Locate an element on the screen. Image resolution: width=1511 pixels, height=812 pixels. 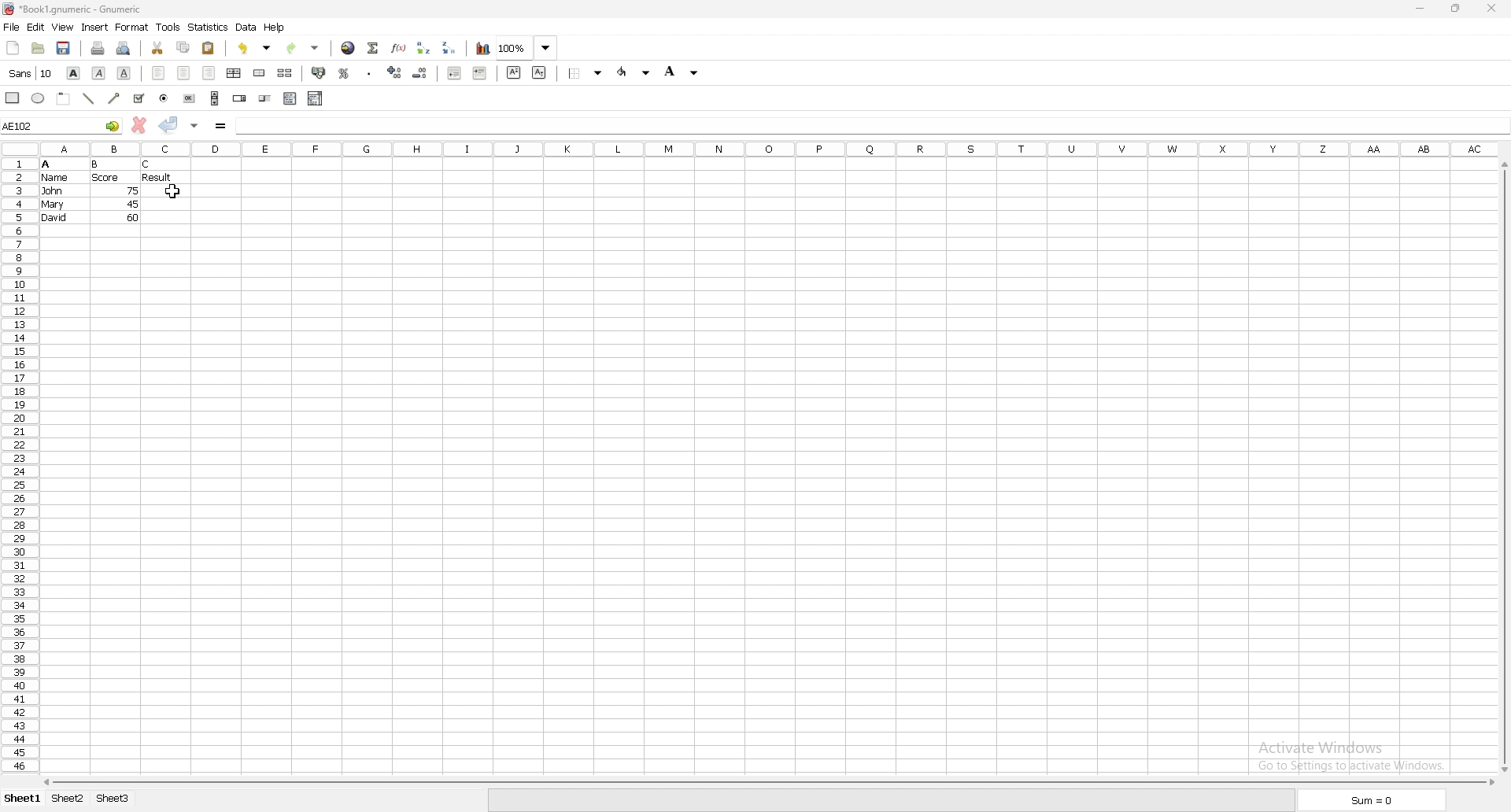
a is located at coordinates (46, 164).